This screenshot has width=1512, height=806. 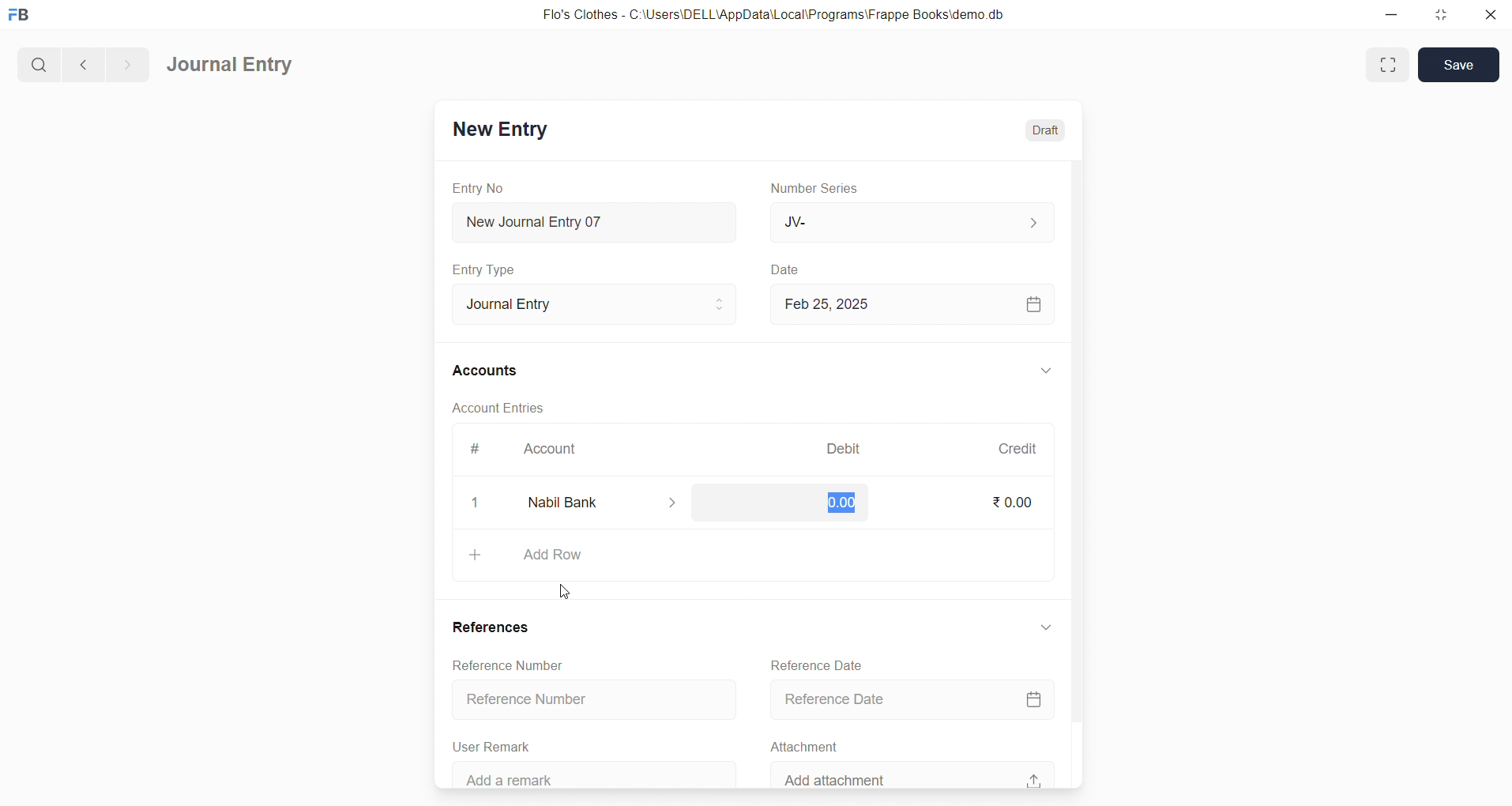 I want to click on User Remark, so click(x=496, y=744).